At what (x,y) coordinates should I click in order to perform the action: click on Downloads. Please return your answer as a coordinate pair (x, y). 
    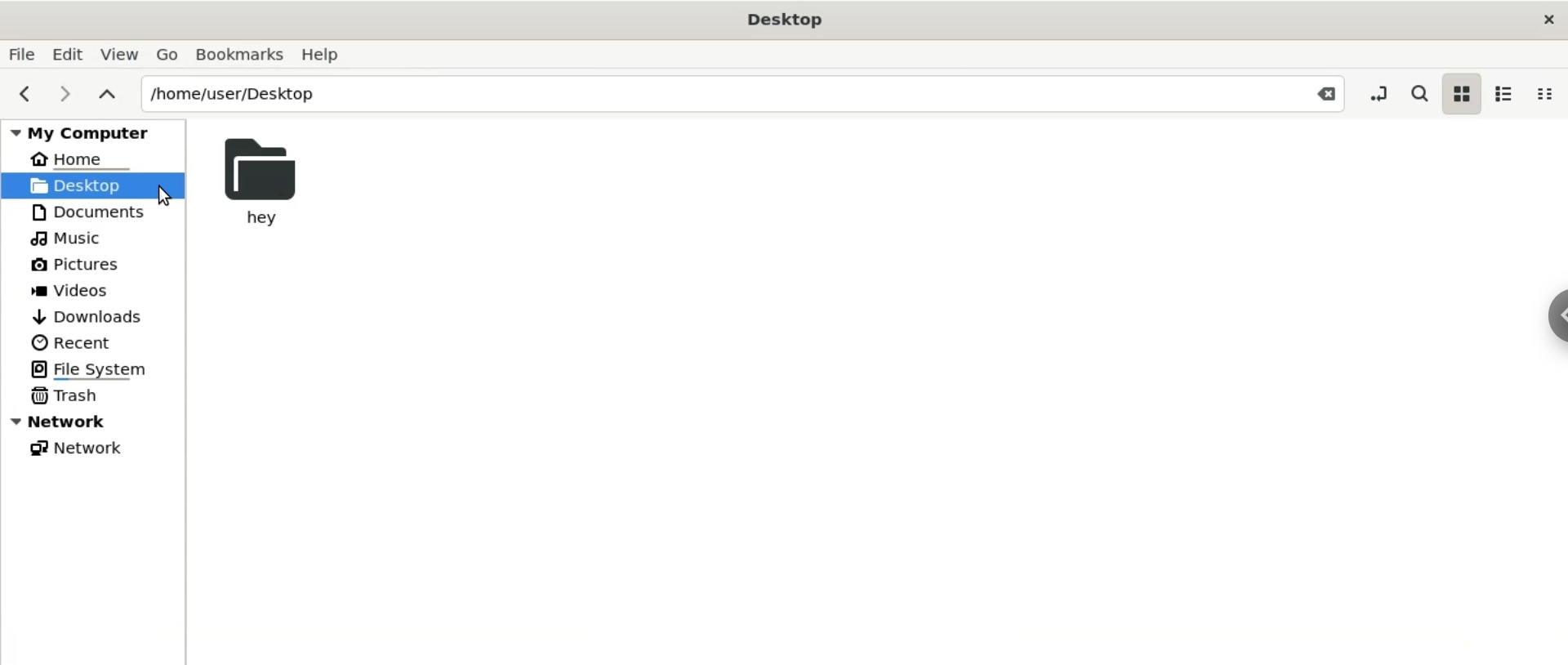
    Looking at the image, I should click on (104, 315).